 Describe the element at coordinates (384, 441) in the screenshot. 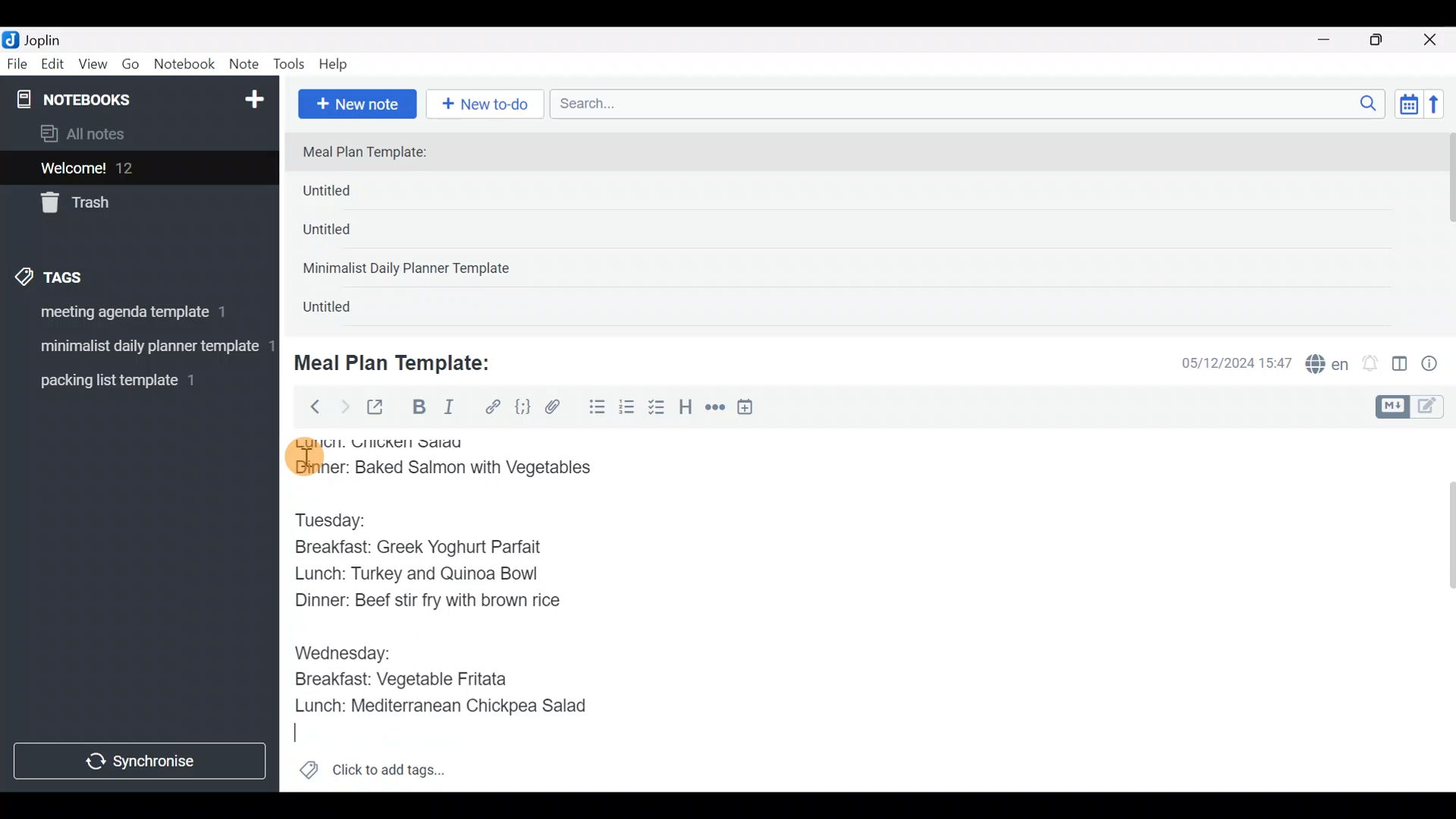

I see `Lunch: Chicken Salad` at that location.